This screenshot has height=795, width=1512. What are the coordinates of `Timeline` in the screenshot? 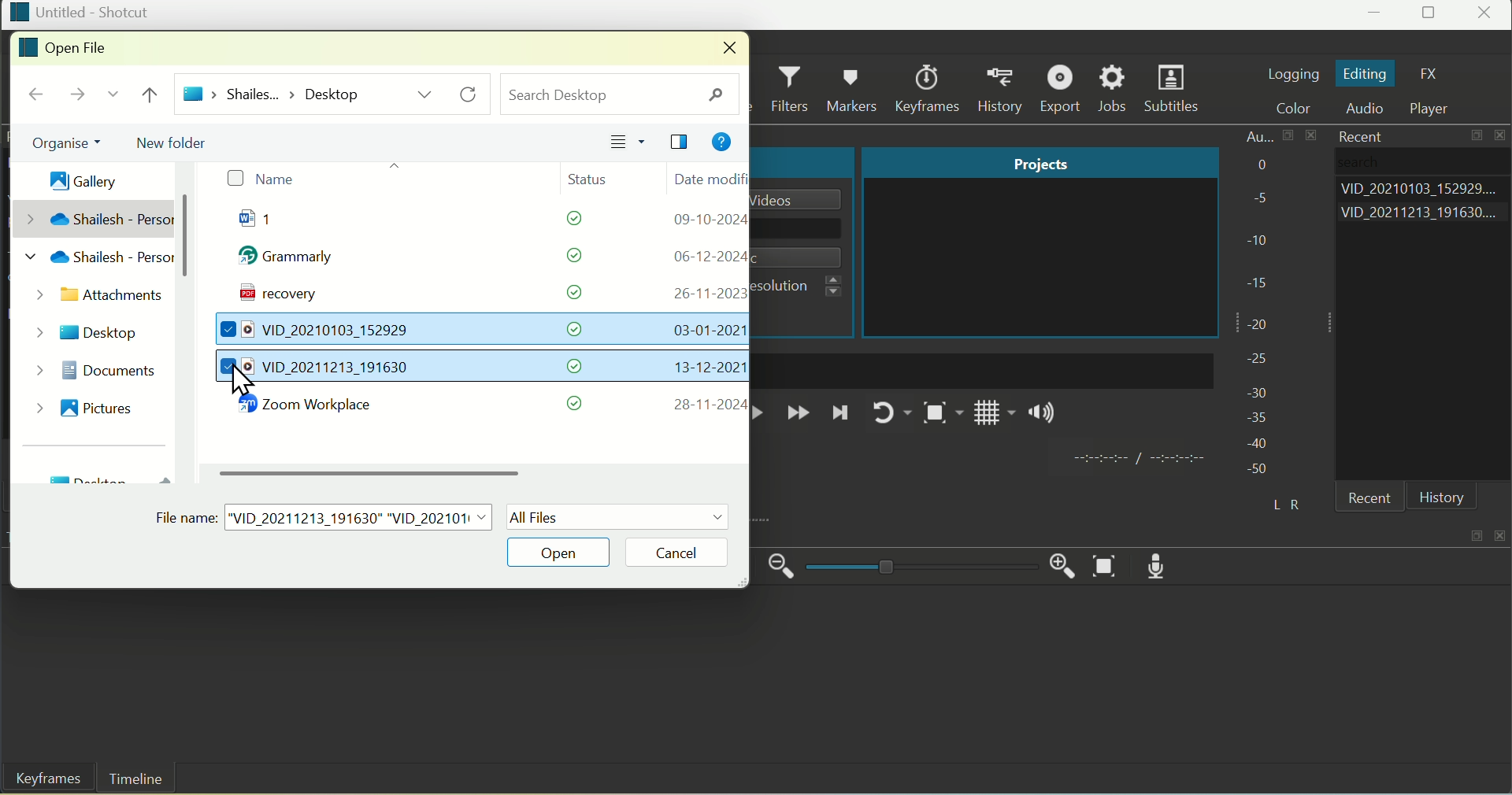 It's located at (136, 779).